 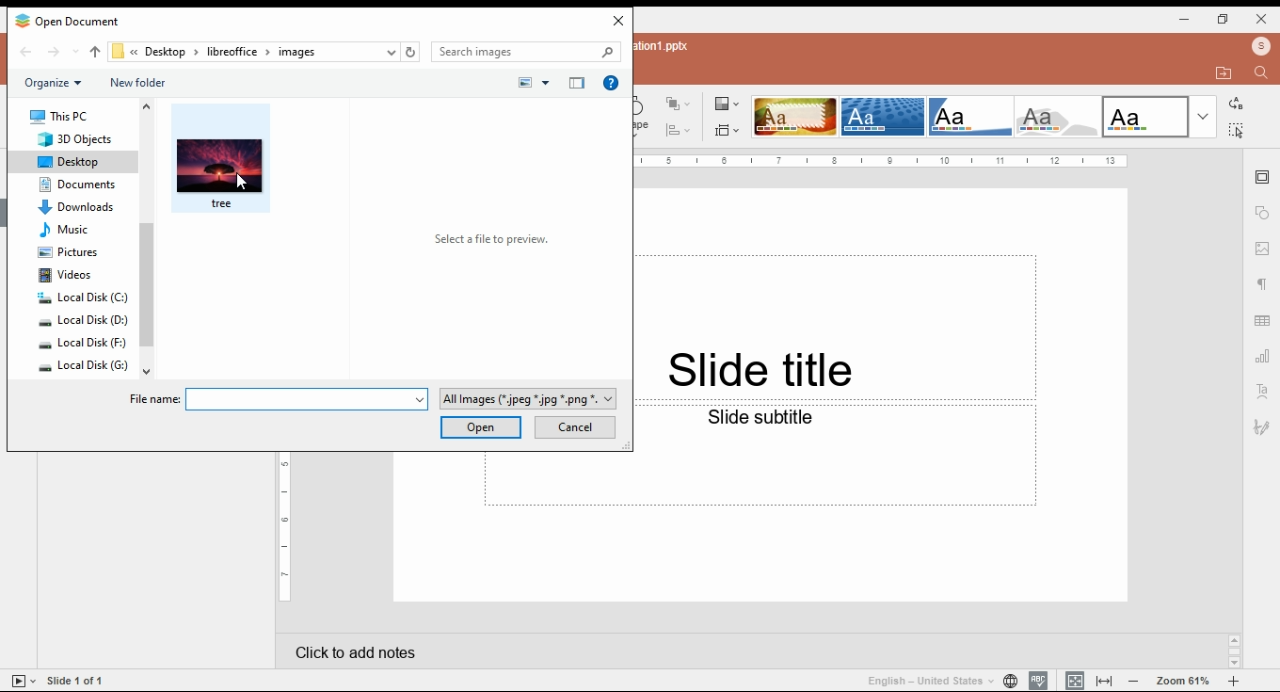 I want to click on desktop, so click(x=164, y=52).